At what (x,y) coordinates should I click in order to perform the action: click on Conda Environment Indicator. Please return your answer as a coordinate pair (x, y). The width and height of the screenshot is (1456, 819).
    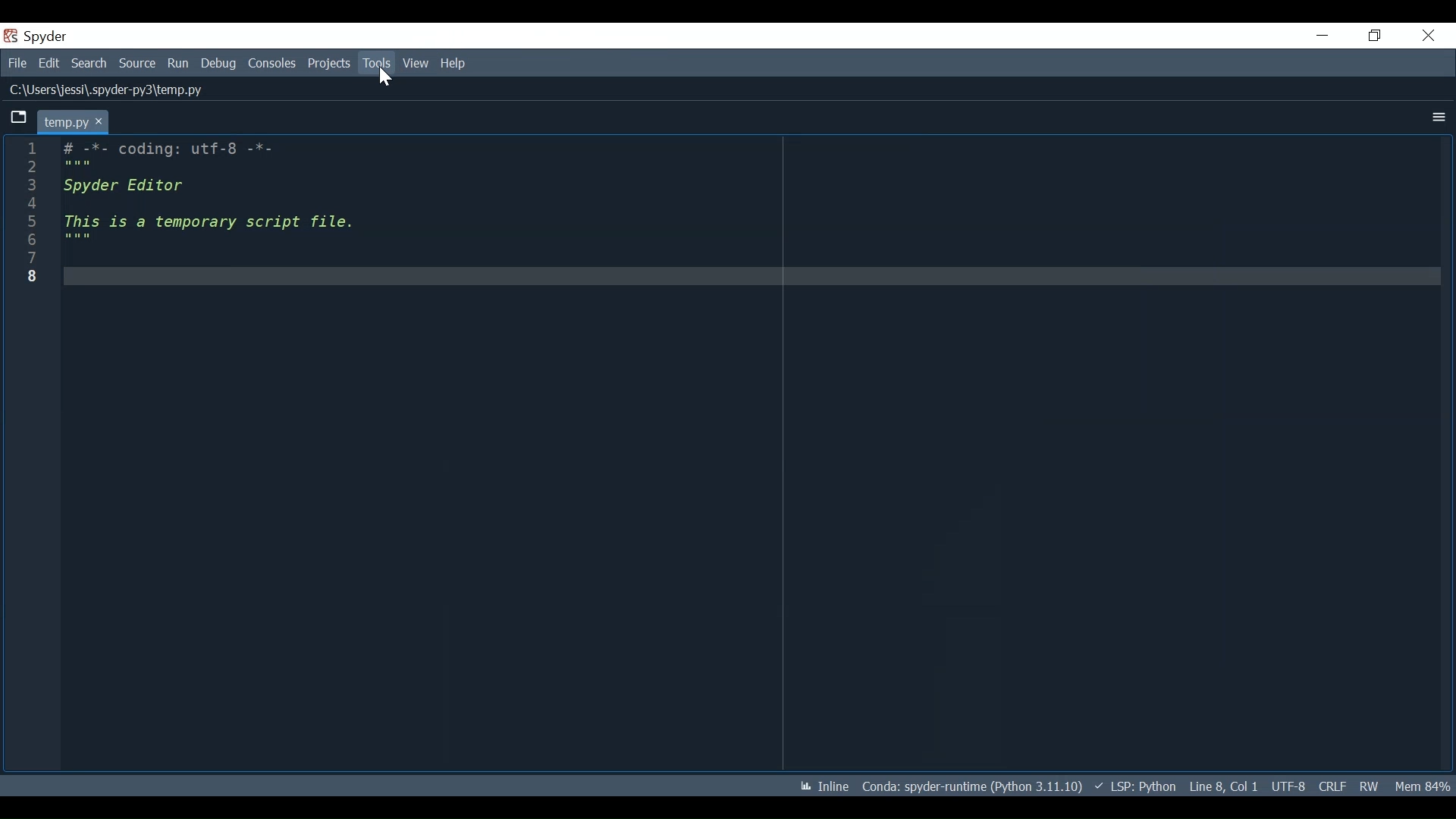
    Looking at the image, I should click on (971, 787).